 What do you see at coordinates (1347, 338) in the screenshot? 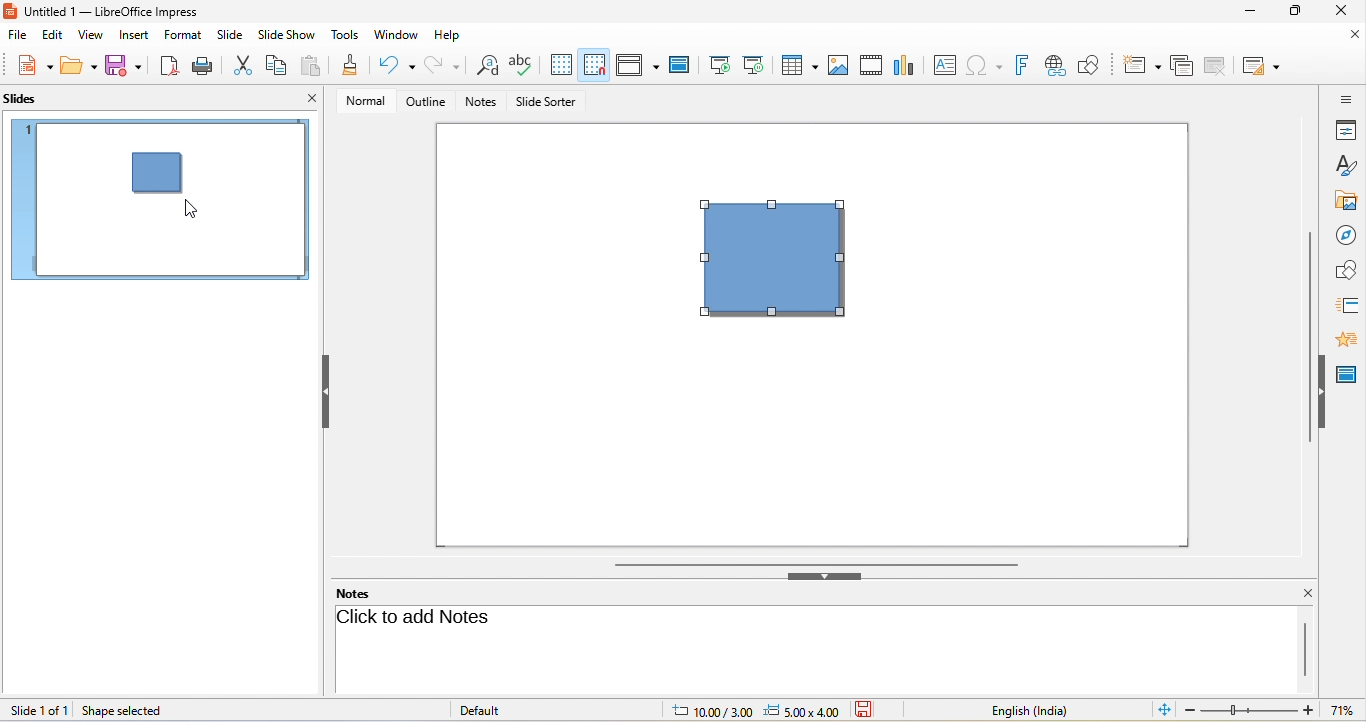
I see `animation` at bounding box center [1347, 338].